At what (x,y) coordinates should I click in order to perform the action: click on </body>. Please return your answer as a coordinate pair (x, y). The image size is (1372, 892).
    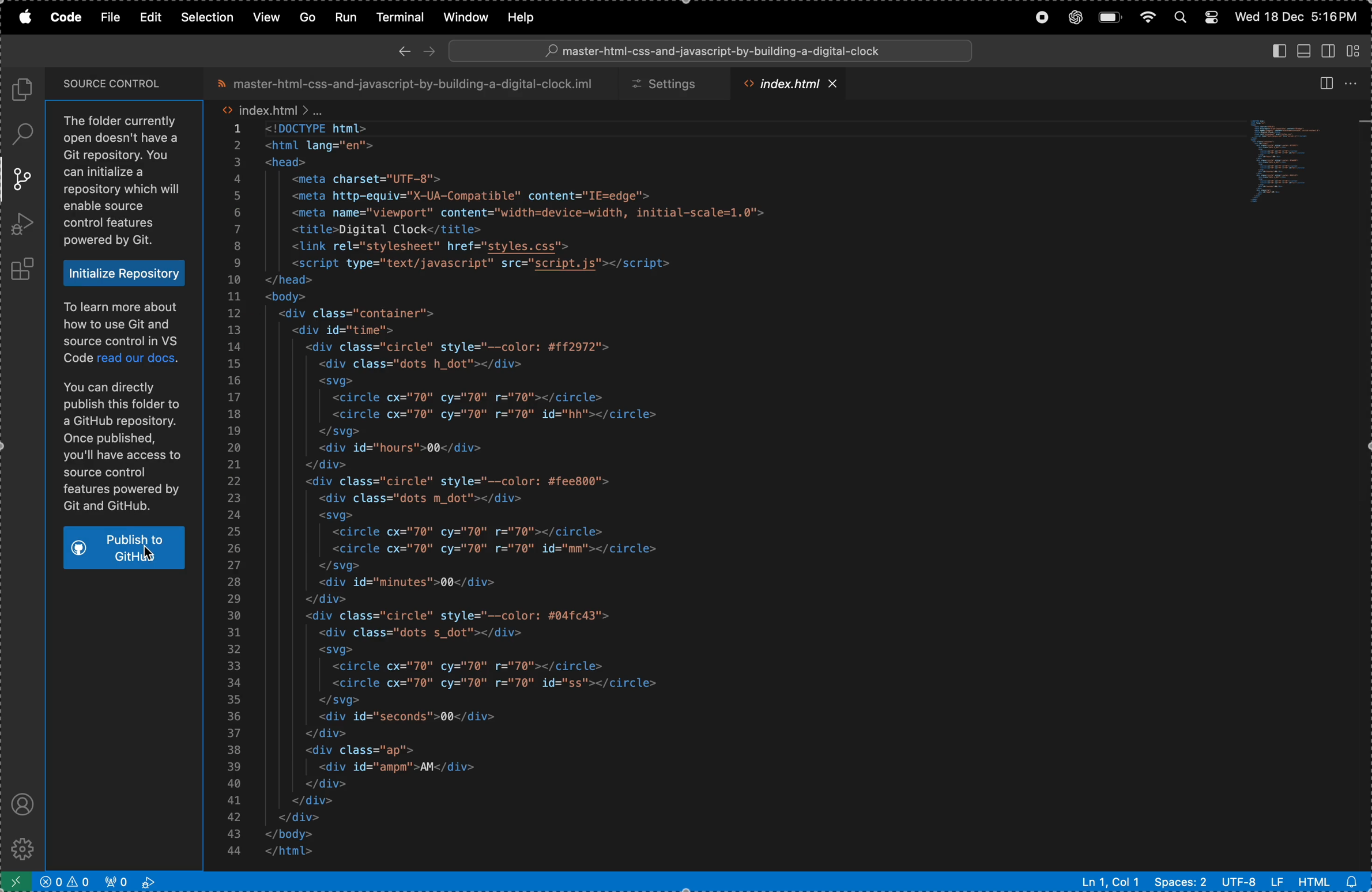
    Looking at the image, I should click on (308, 833).